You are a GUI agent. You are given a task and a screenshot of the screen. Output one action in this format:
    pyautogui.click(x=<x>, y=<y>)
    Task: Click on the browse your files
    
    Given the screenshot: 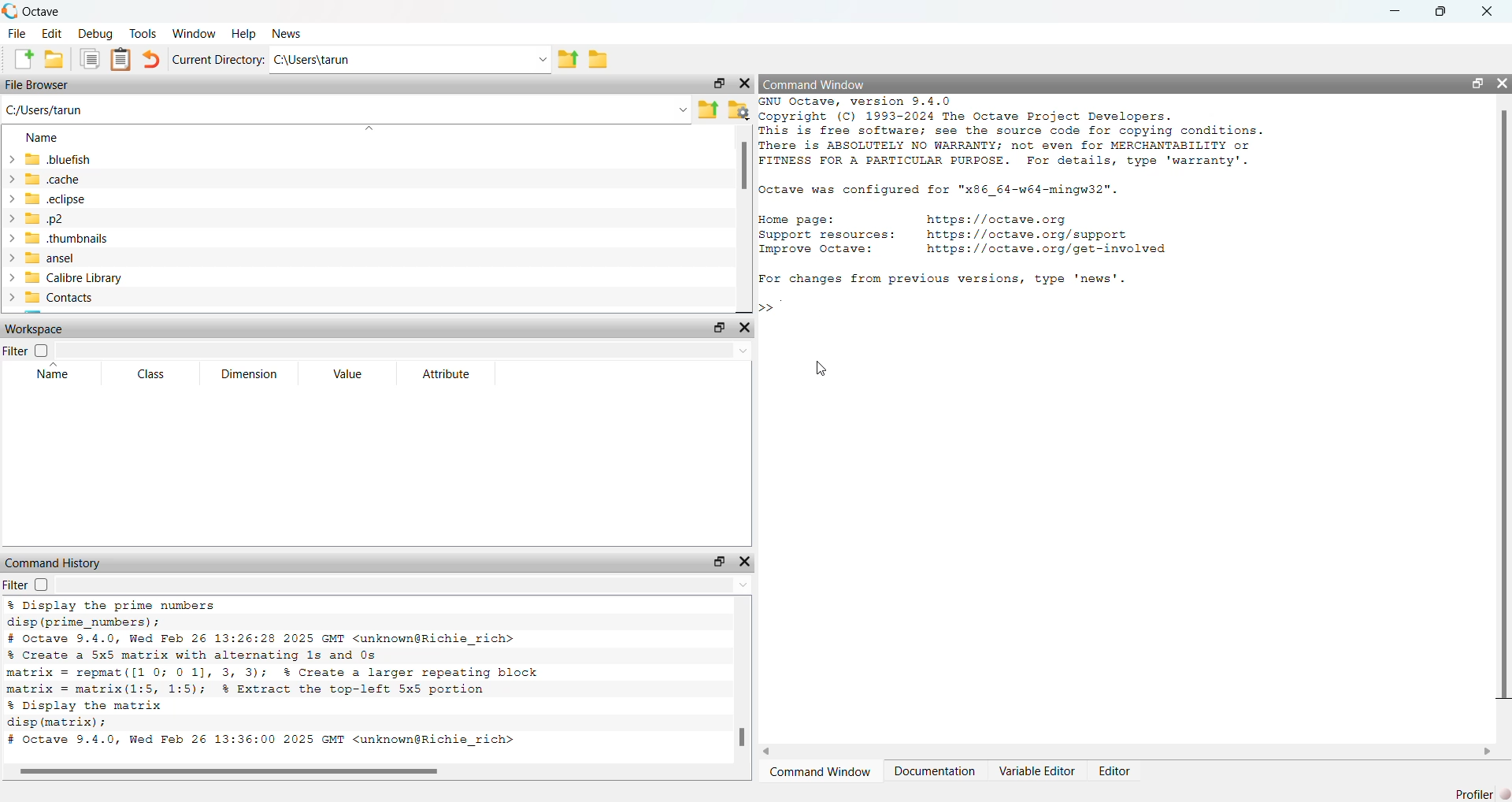 What is the action you would take?
    pyautogui.click(x=738, y=109)
    